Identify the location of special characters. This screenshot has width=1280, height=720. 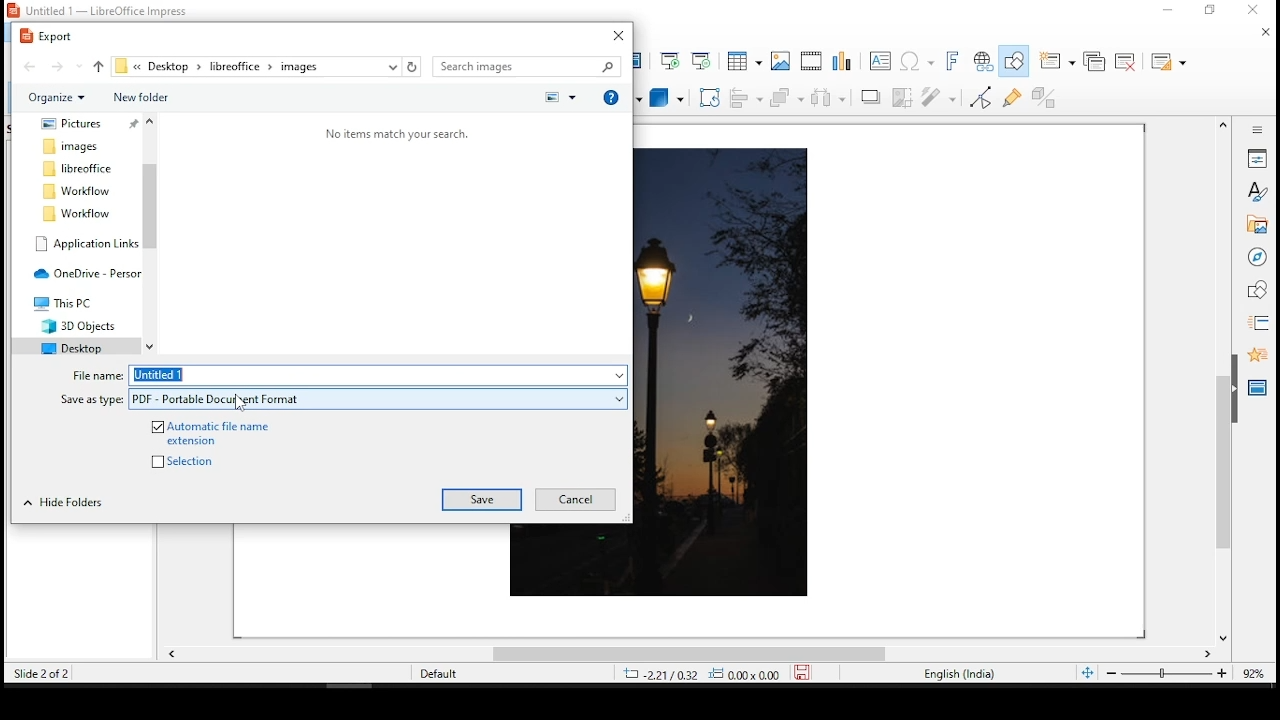
(916, 61).